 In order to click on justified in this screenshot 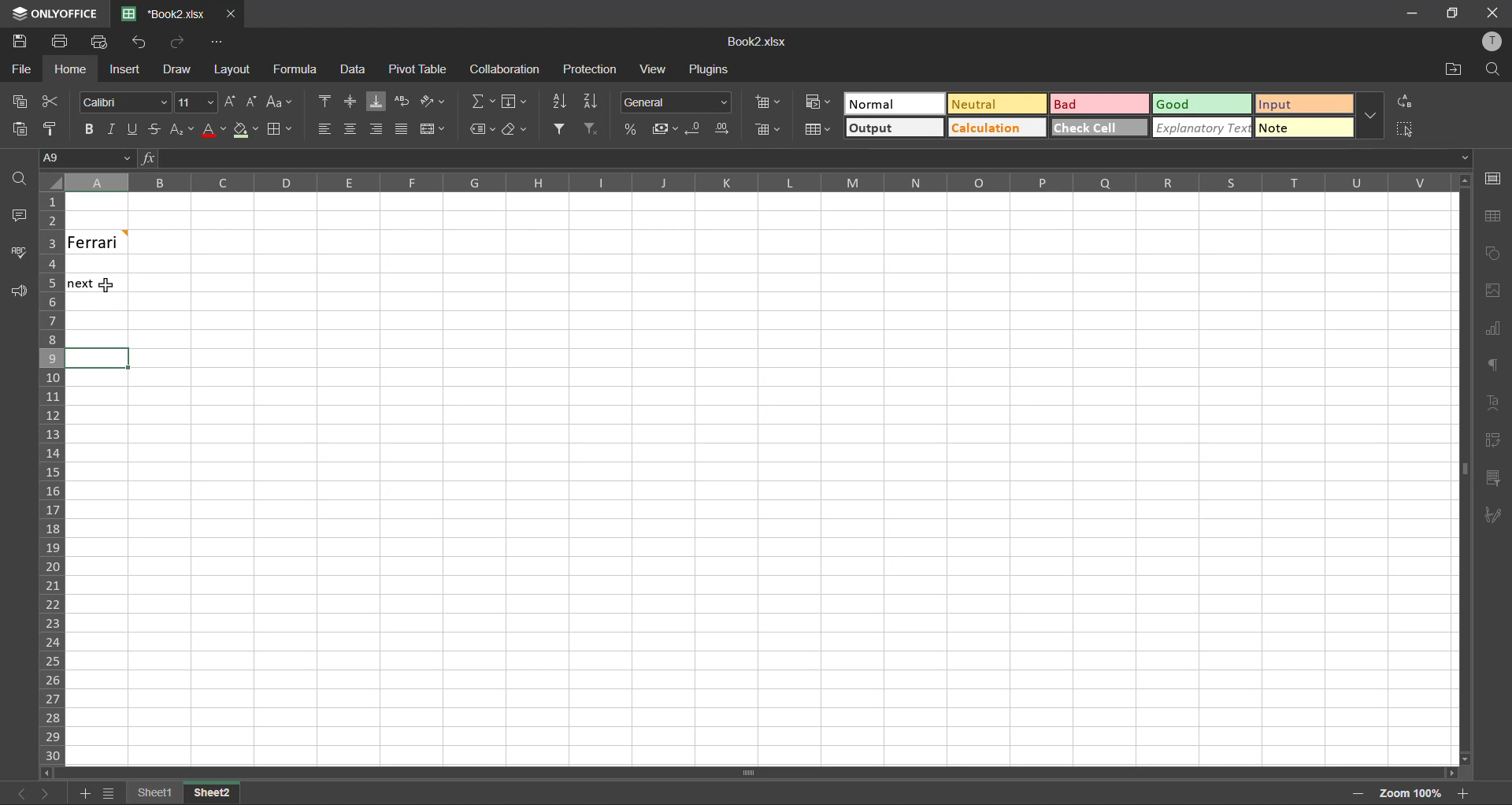, I will do `click(404, 130)`.